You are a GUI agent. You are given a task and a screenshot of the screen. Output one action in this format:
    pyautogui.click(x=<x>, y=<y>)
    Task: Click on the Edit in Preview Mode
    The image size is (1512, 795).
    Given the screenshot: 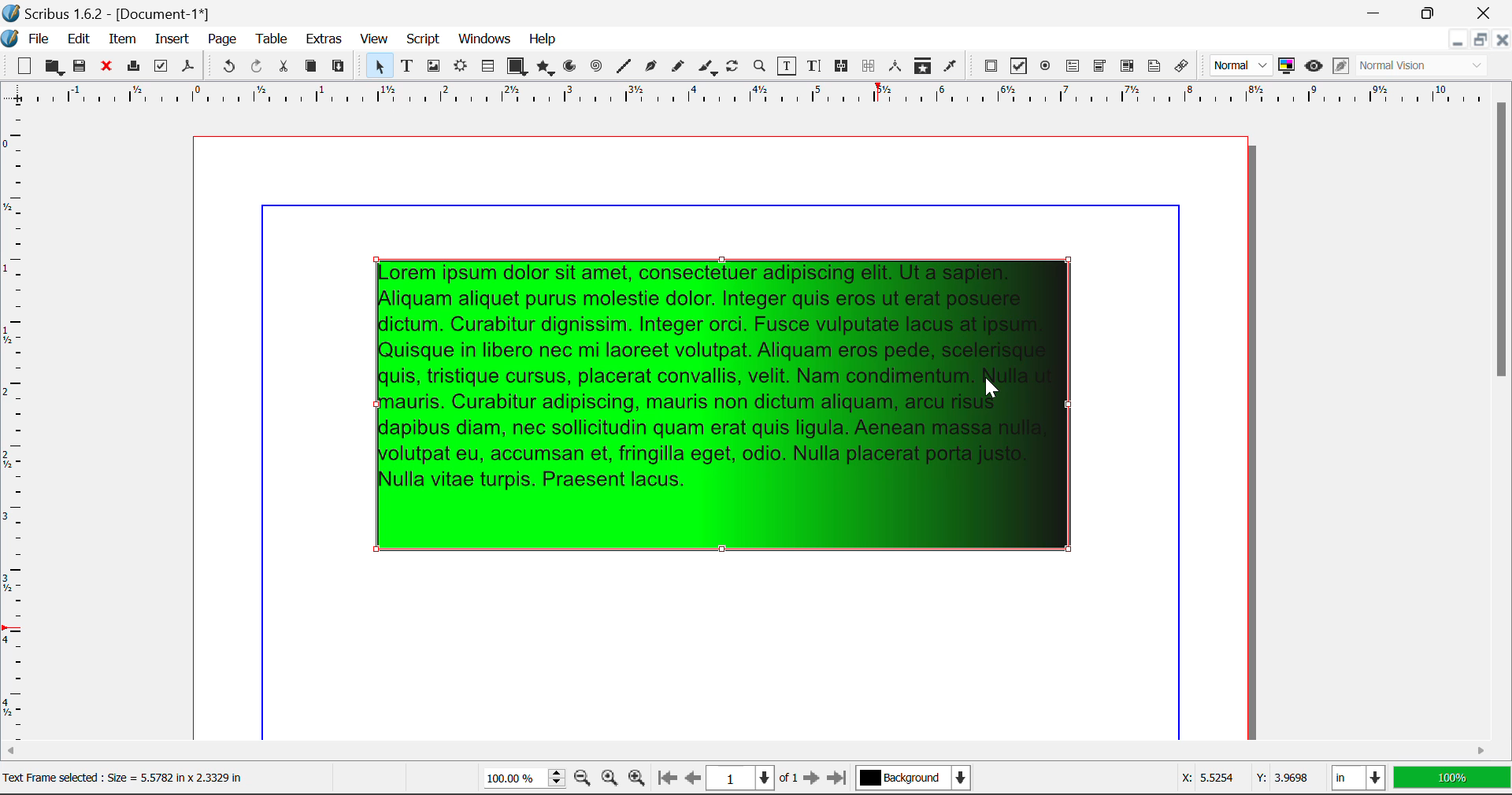 What is the action you would take?
    pyautogui.click(x=1341, y=66)
    